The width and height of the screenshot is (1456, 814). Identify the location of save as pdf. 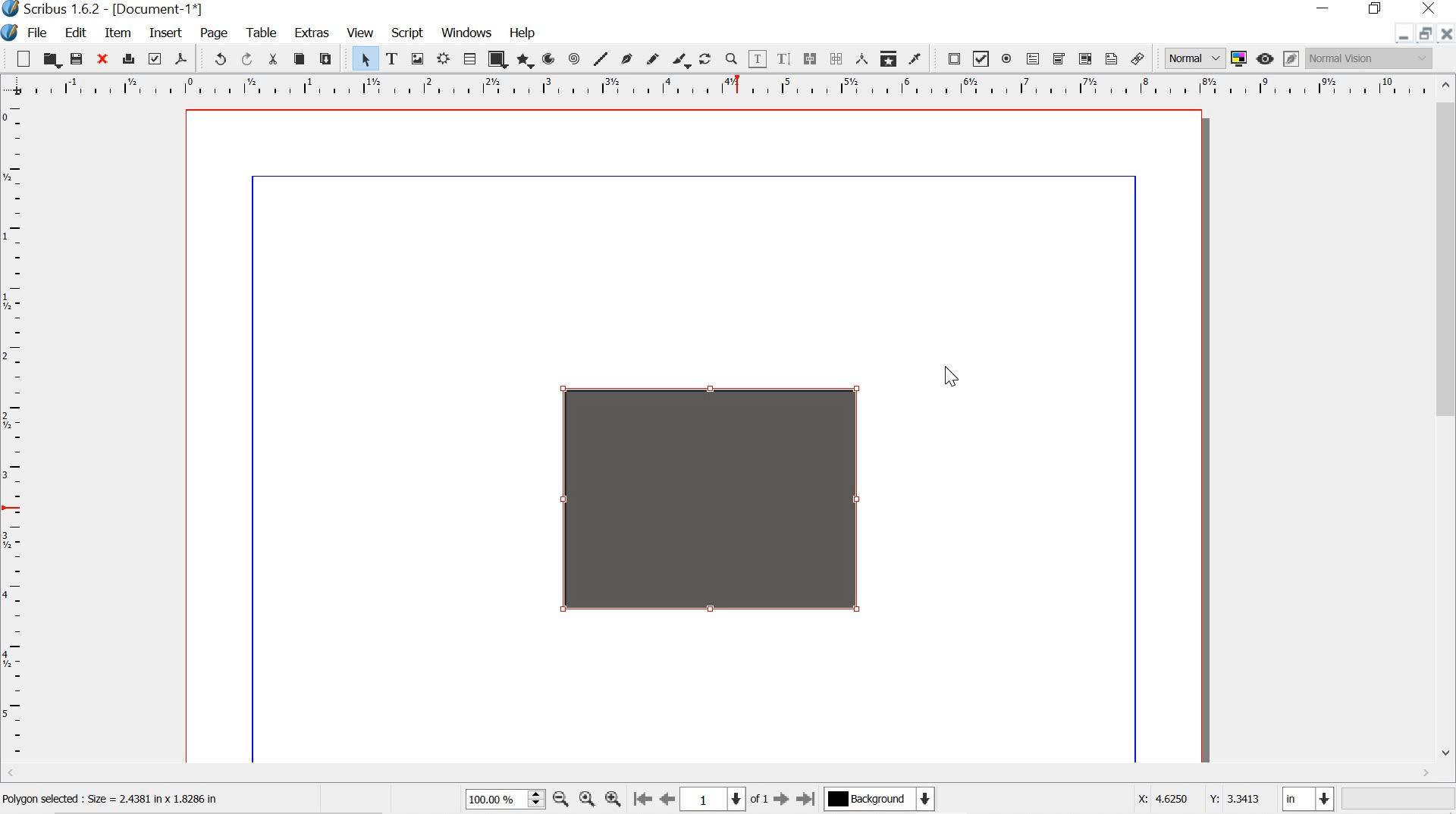
(181, 59).